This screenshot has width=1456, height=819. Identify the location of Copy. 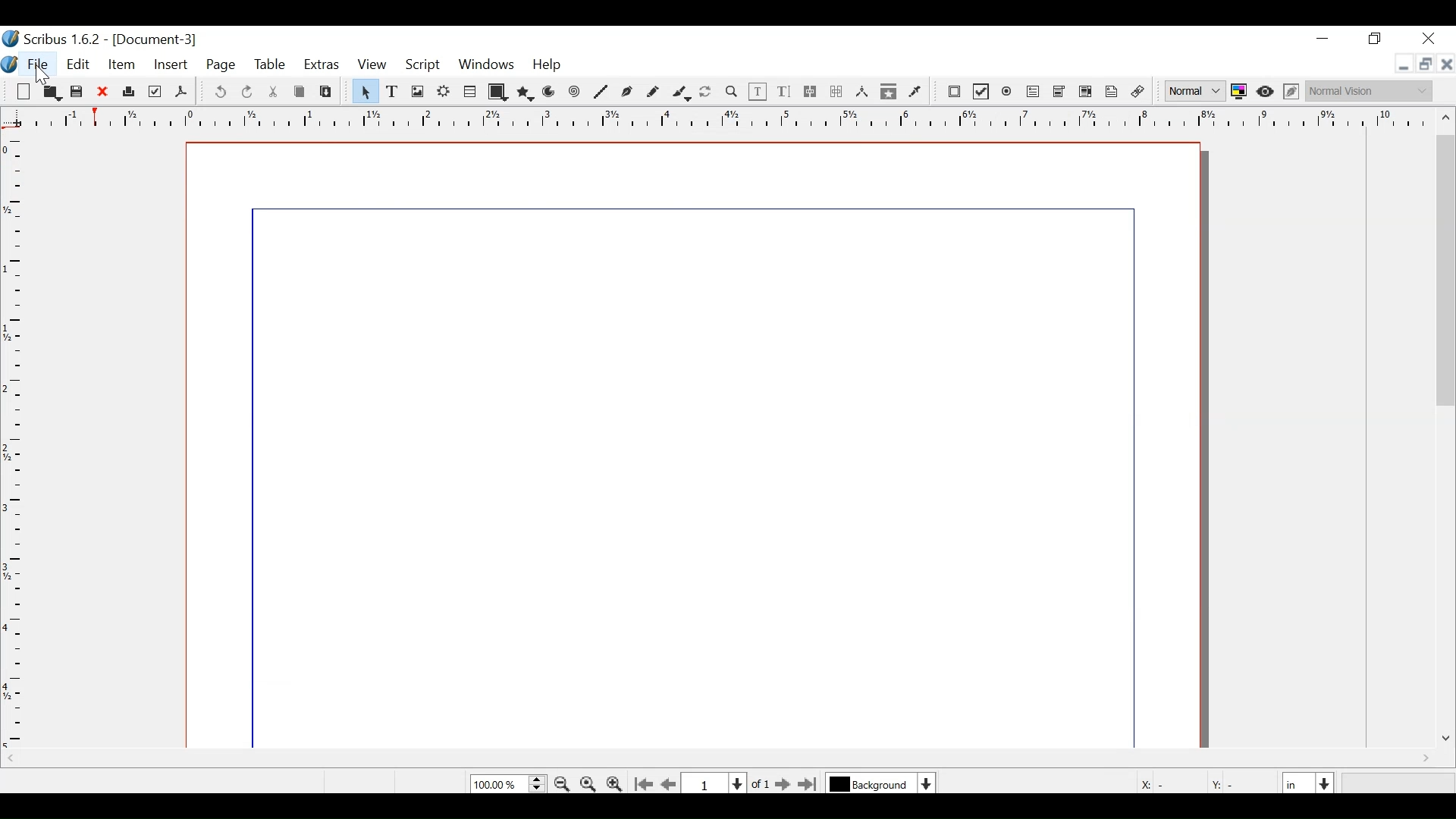
(299, 92).